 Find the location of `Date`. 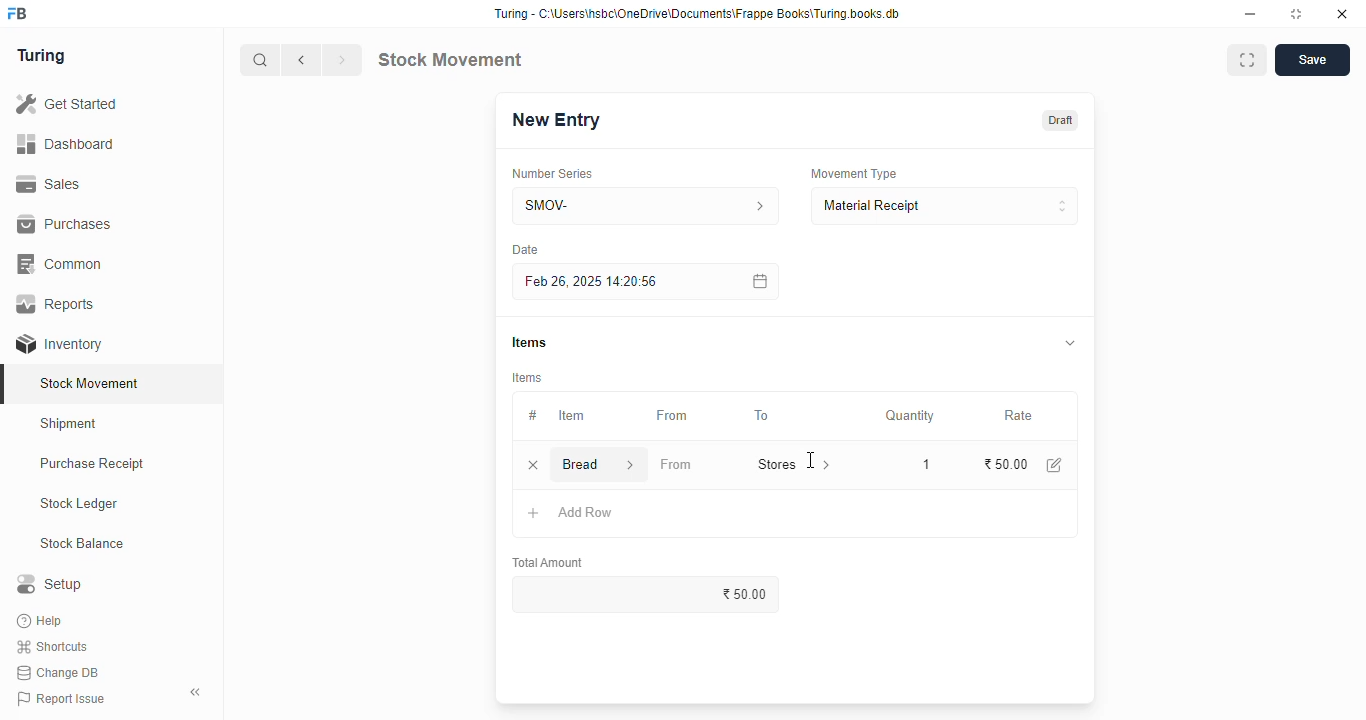

Date is located at coordinates (525, 249).